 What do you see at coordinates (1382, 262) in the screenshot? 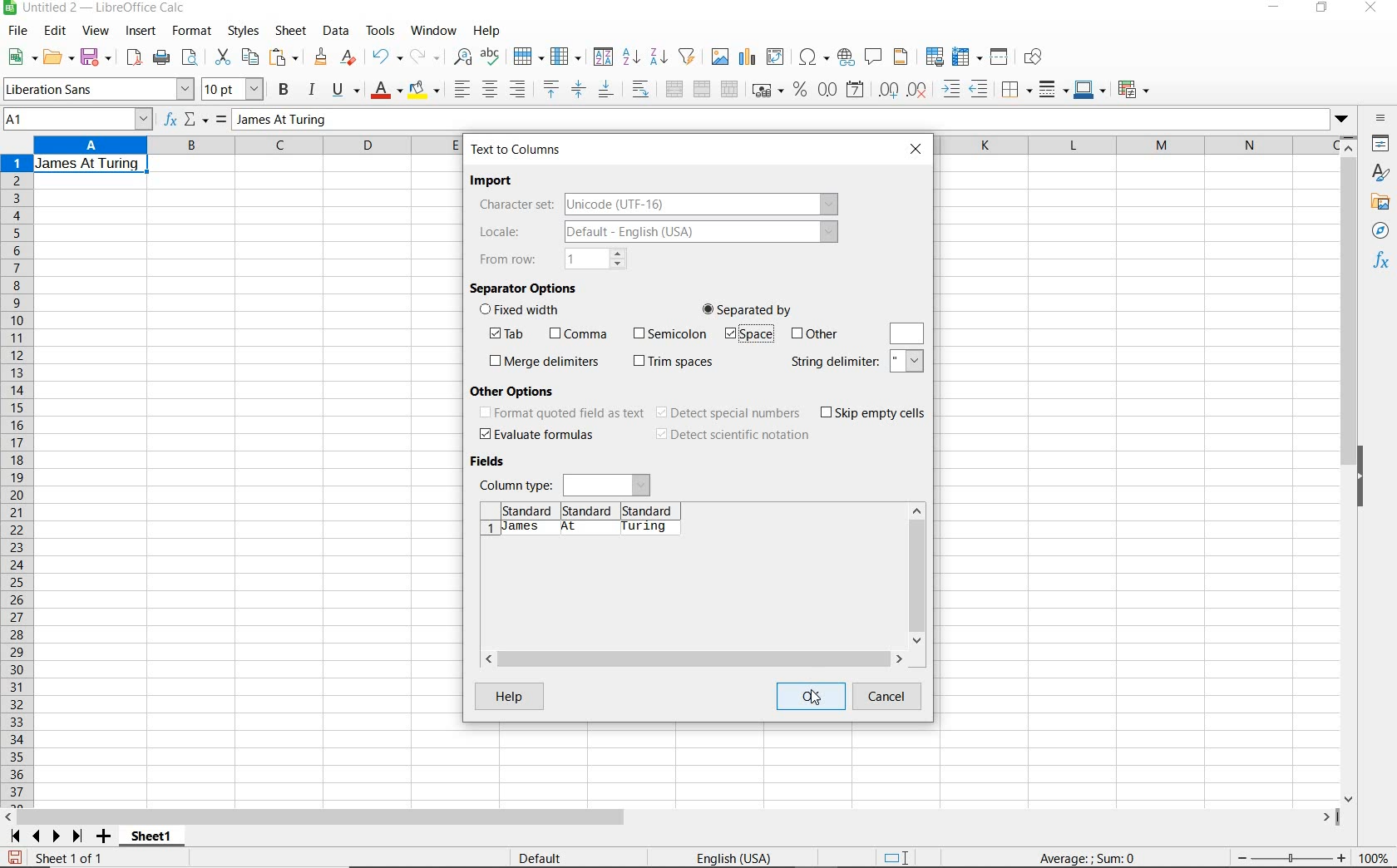
I see `functions` at bounding box center [1382, 262].